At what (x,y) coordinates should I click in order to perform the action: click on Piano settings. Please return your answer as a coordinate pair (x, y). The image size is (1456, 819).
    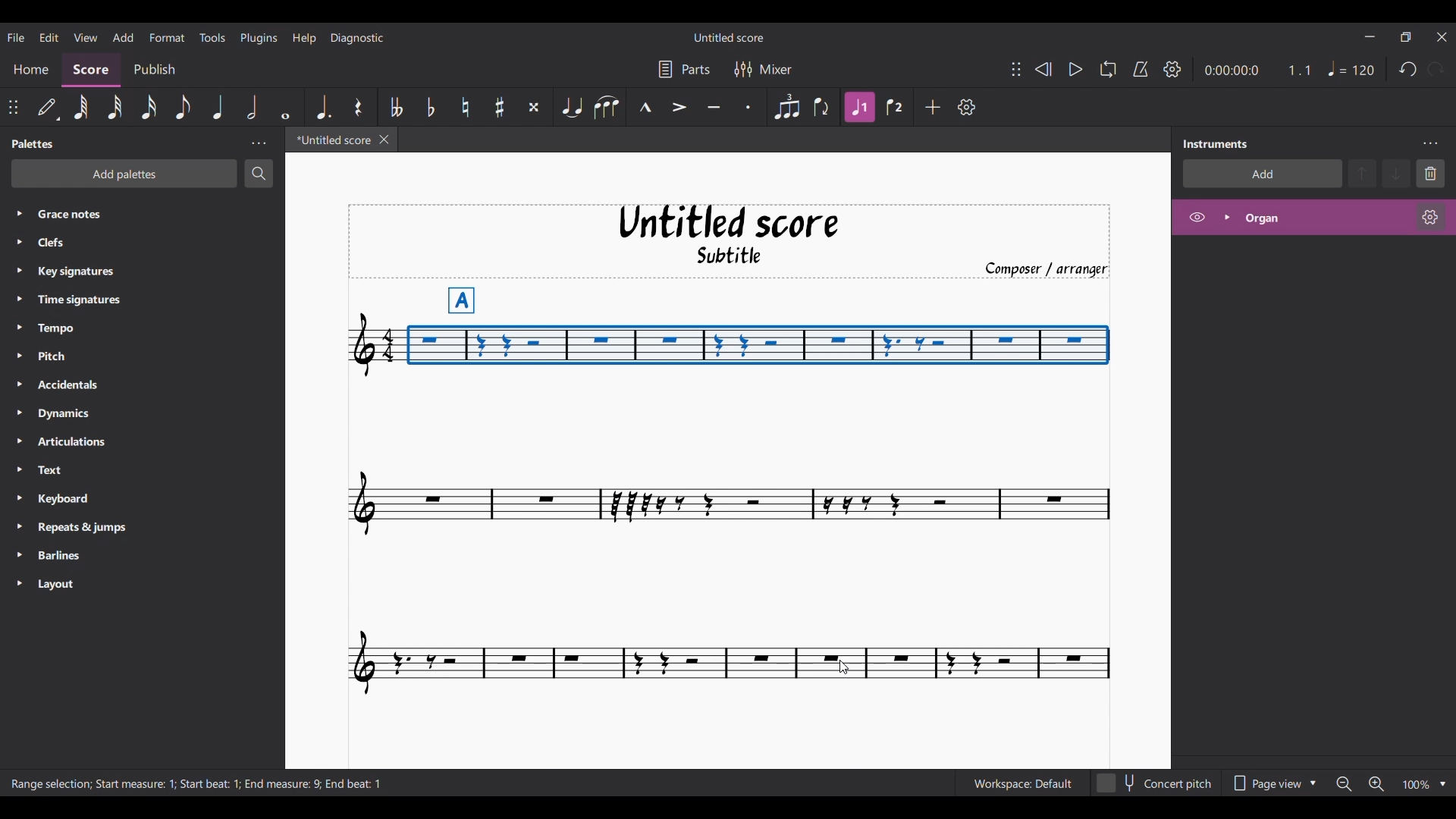
    Looking at the image, I should click on (1430, 217).